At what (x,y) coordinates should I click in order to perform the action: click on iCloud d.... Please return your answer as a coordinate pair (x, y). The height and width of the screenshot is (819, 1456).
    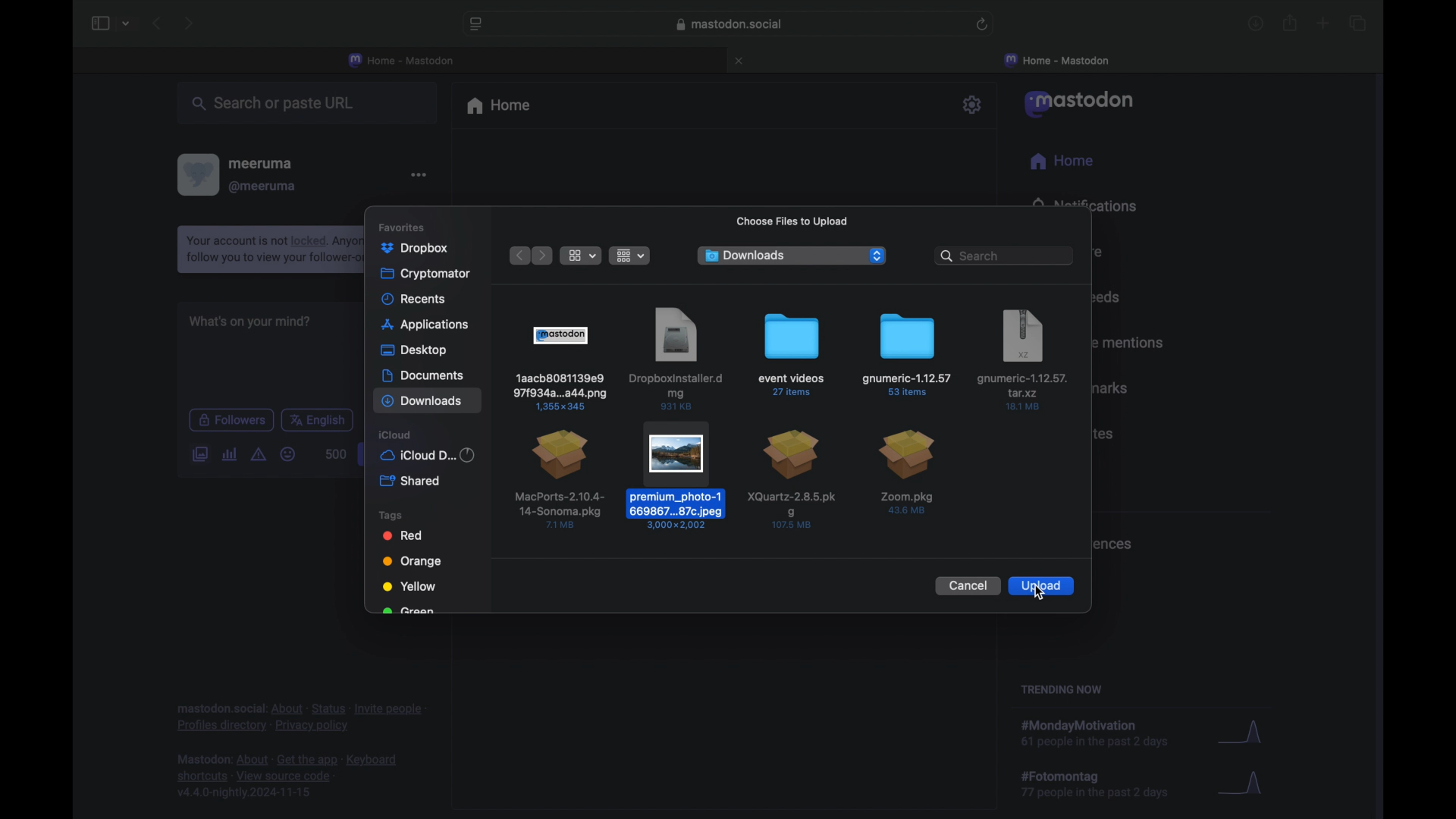
    Looking at the image, I should click on (429, 455).